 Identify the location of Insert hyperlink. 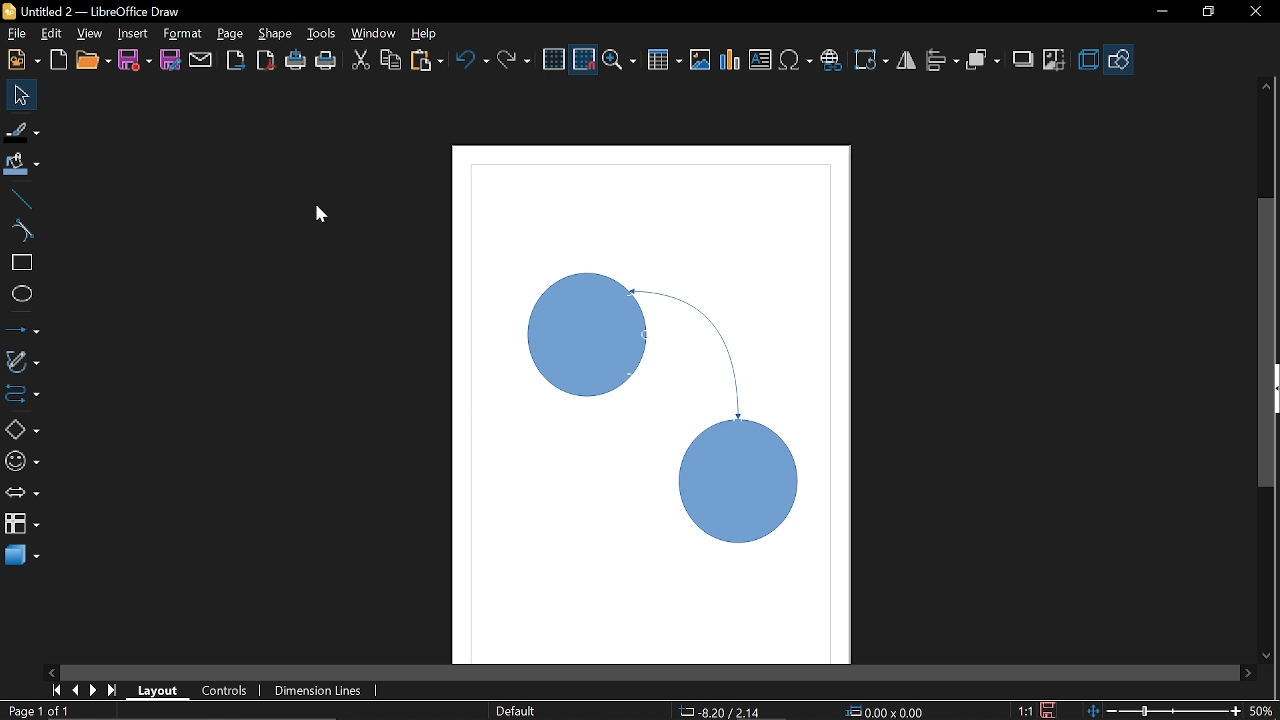
(833, 61).